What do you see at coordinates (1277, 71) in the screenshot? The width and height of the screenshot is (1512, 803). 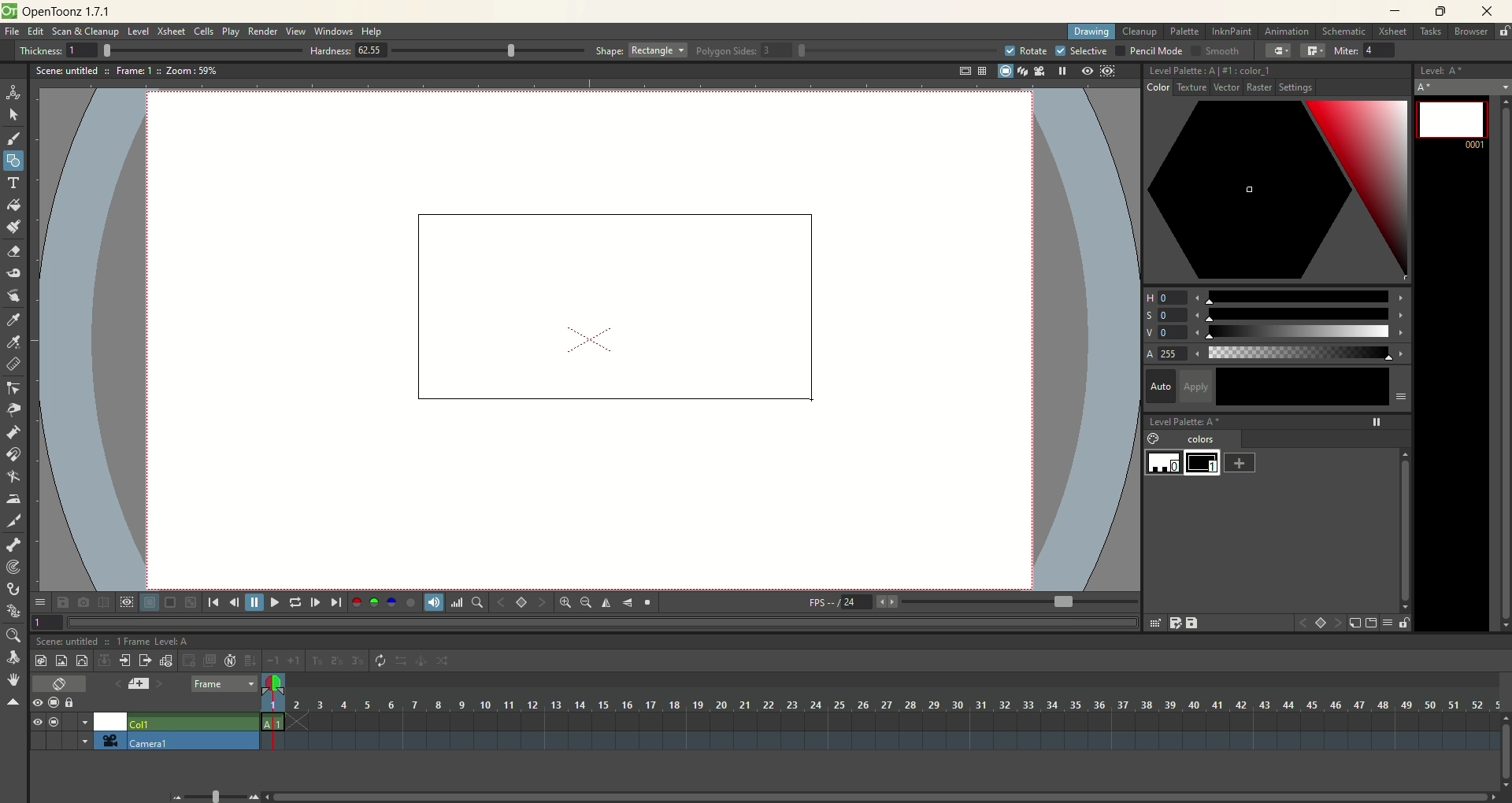 I see `cleanup palette` at bounding box center [1277, 71].